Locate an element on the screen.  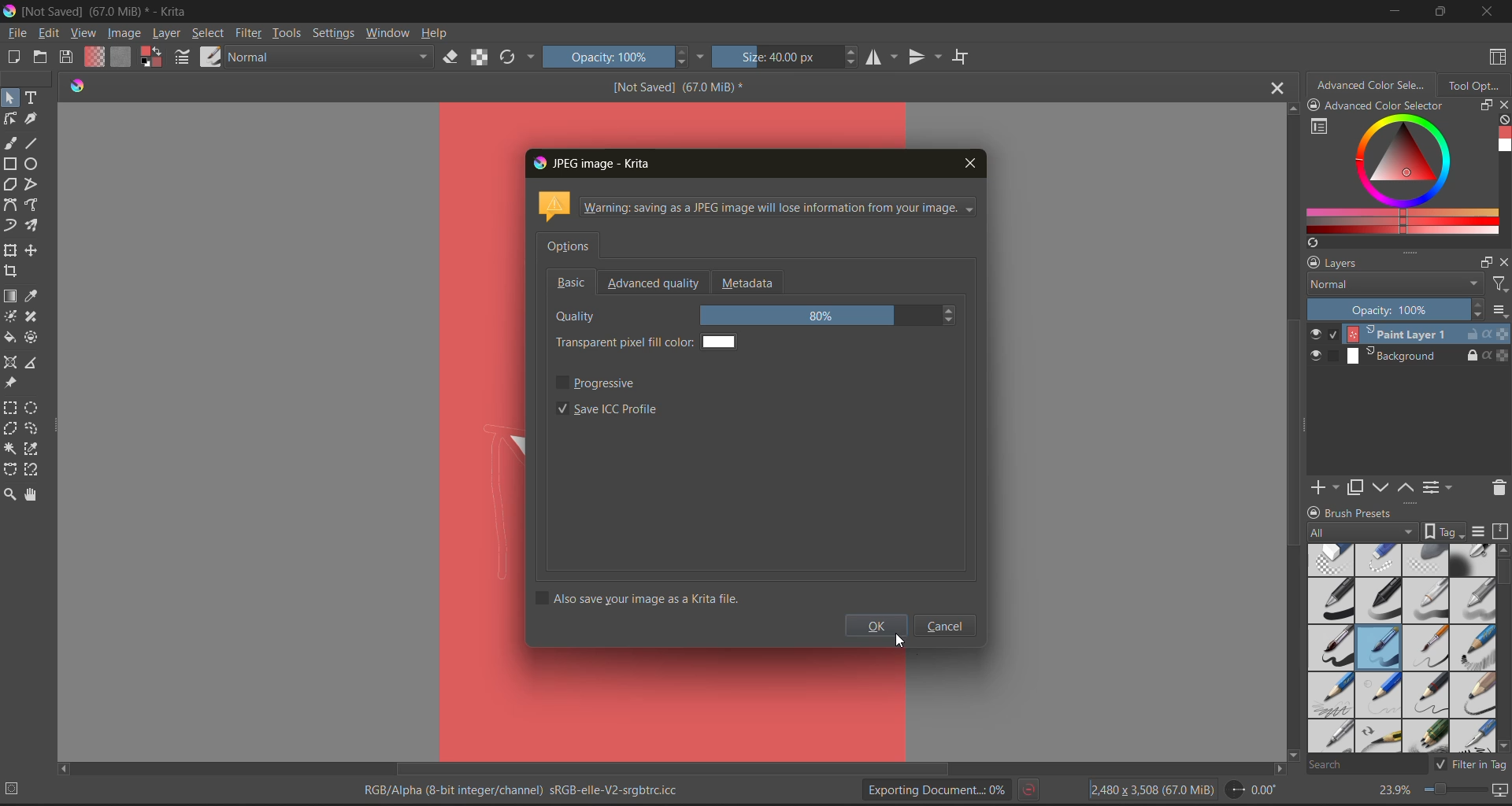
tools is located at coordinates (11, 469).